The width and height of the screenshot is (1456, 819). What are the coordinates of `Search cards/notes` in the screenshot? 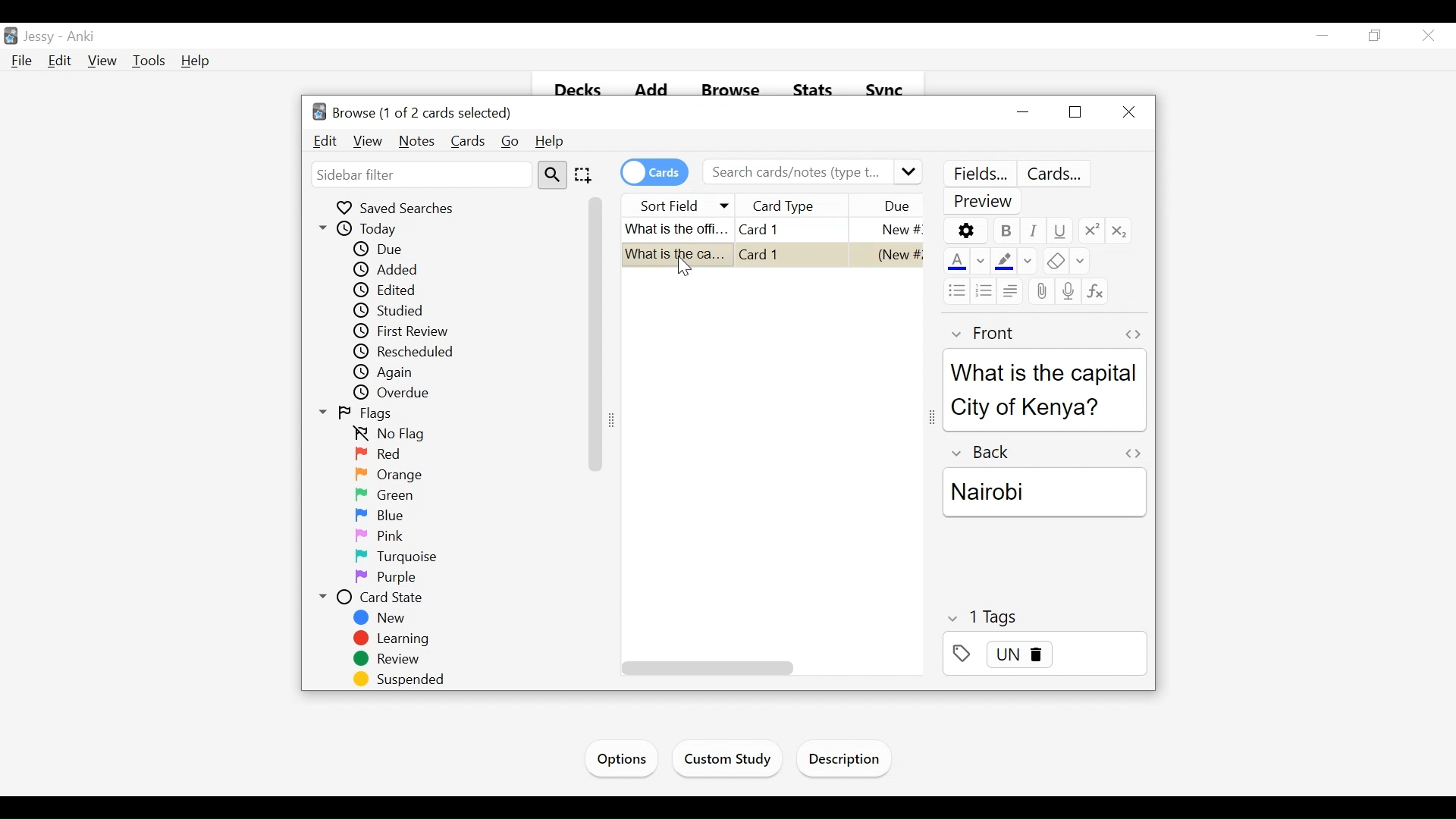 It's located at (811, 172).